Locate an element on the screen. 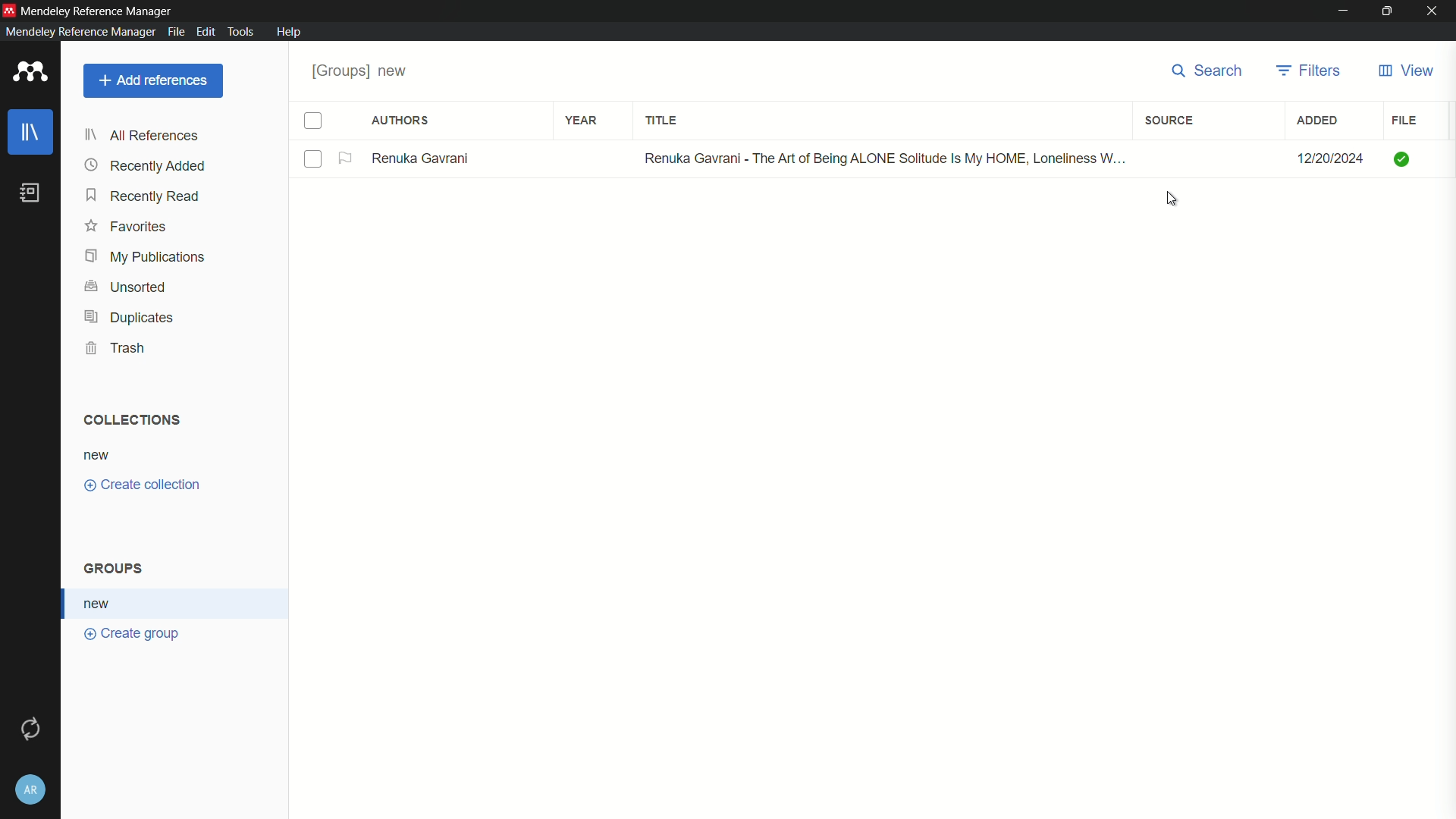 The image size is (1456, 819). edit menu is located at coordinates (206, 32).